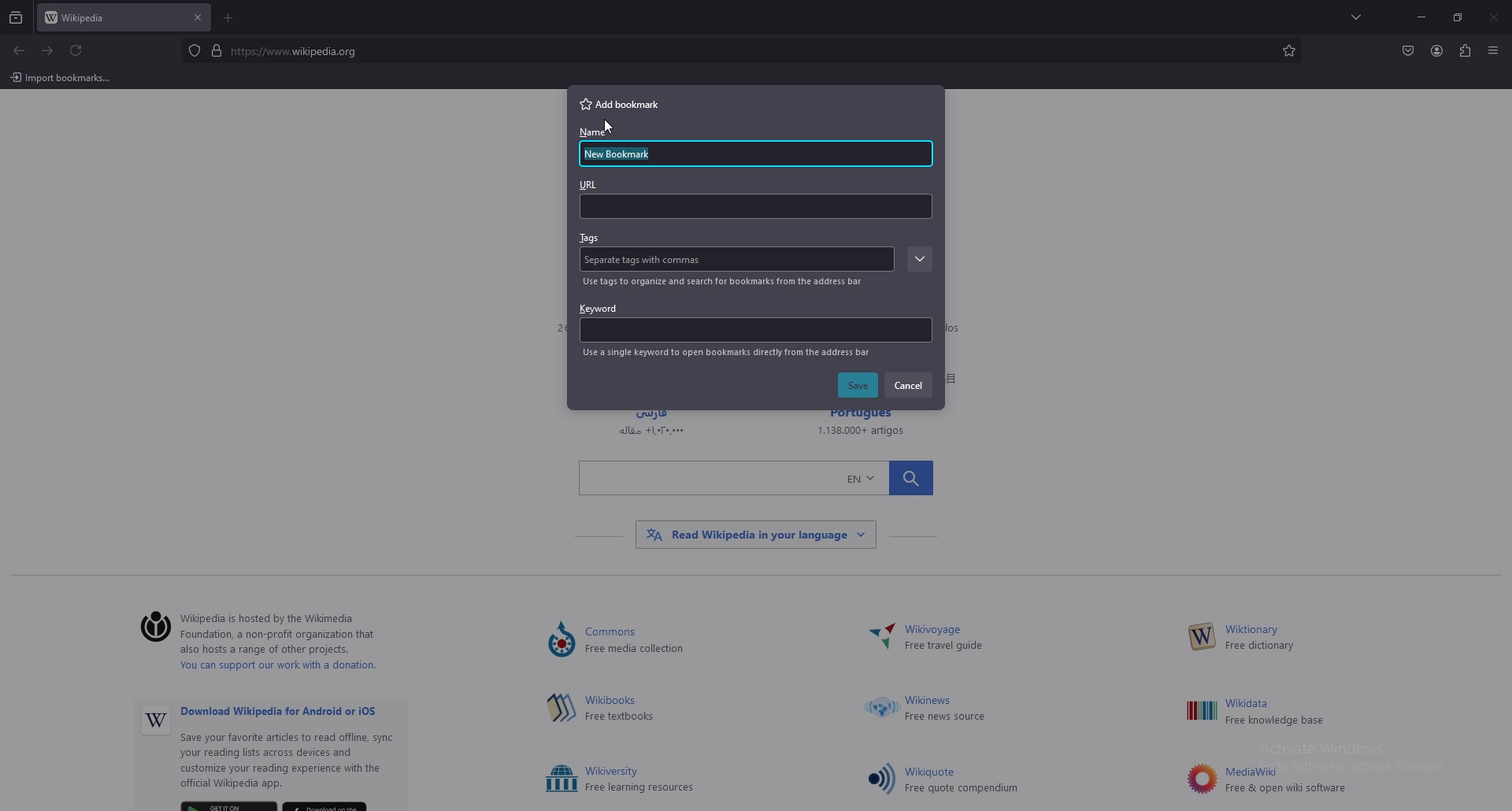  What do you see at coordinates (591, 239) in the screenshot?
I see `tags` at bounding box center [591, 239].